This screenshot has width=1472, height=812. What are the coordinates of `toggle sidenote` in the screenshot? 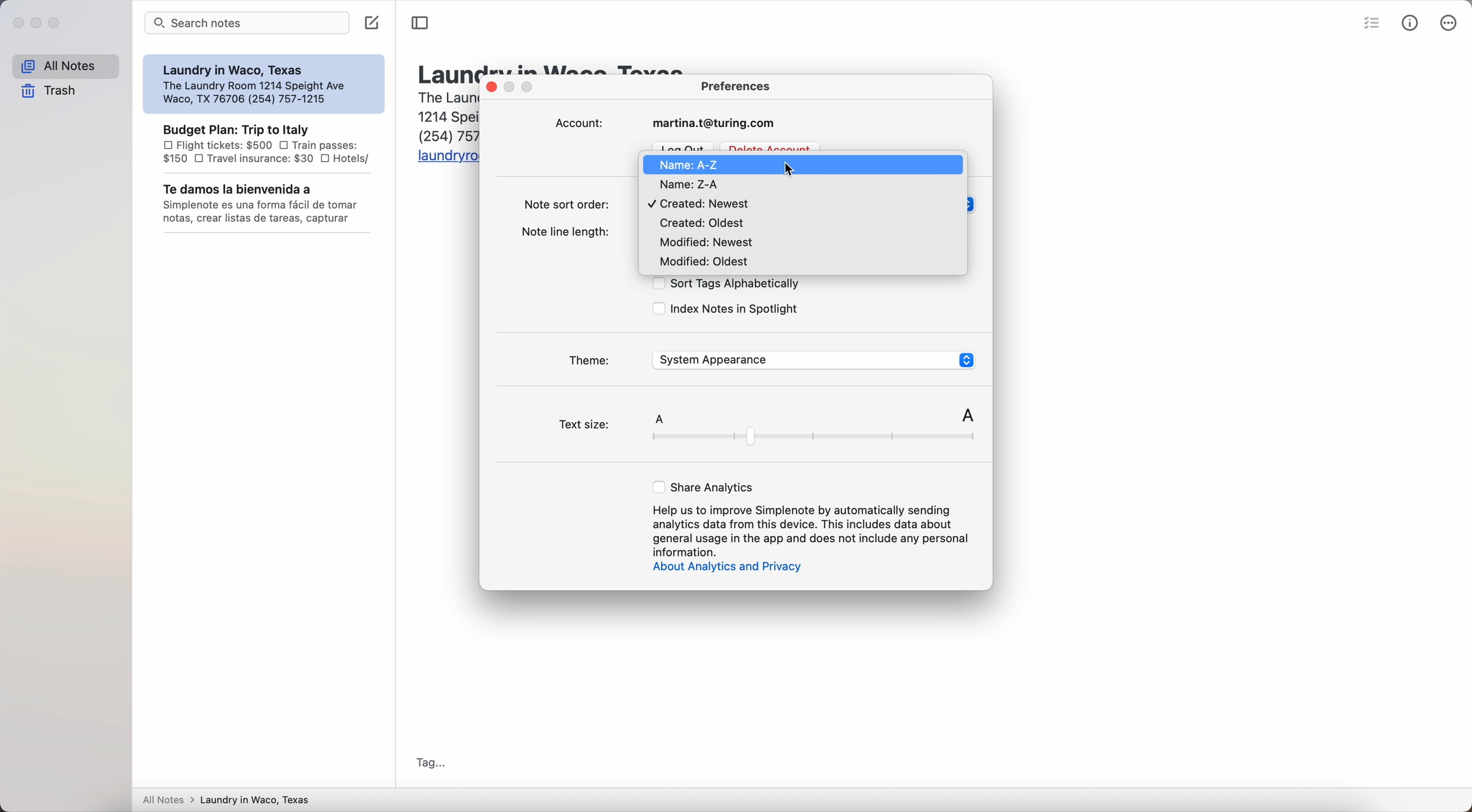 It's located at (419, 23).